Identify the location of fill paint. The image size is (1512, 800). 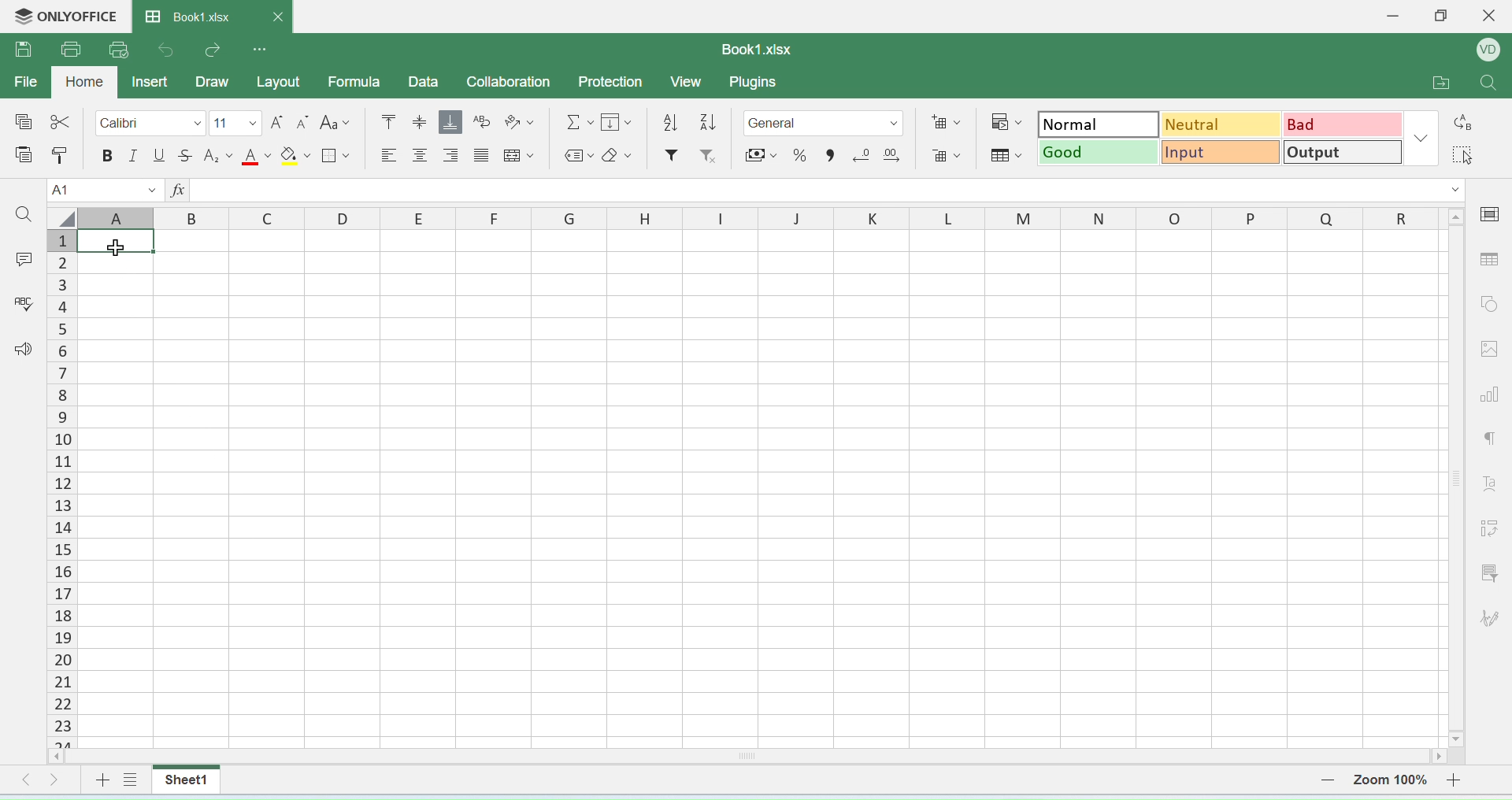
(297, 154).